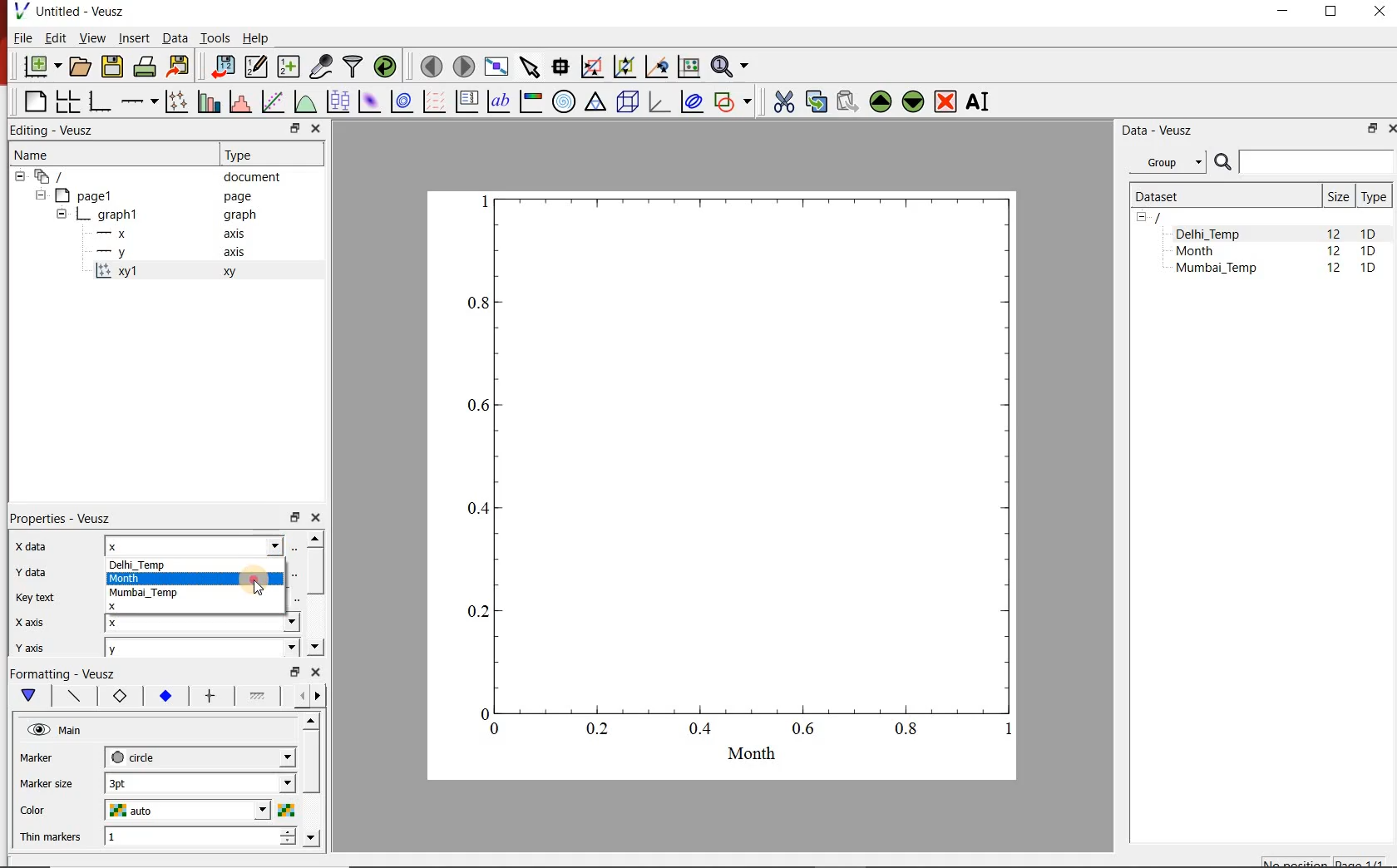  What do you see at coordinates (814, 101) in the screenshot?
I see `copy the selected widget` at bounding box center [814, 101].